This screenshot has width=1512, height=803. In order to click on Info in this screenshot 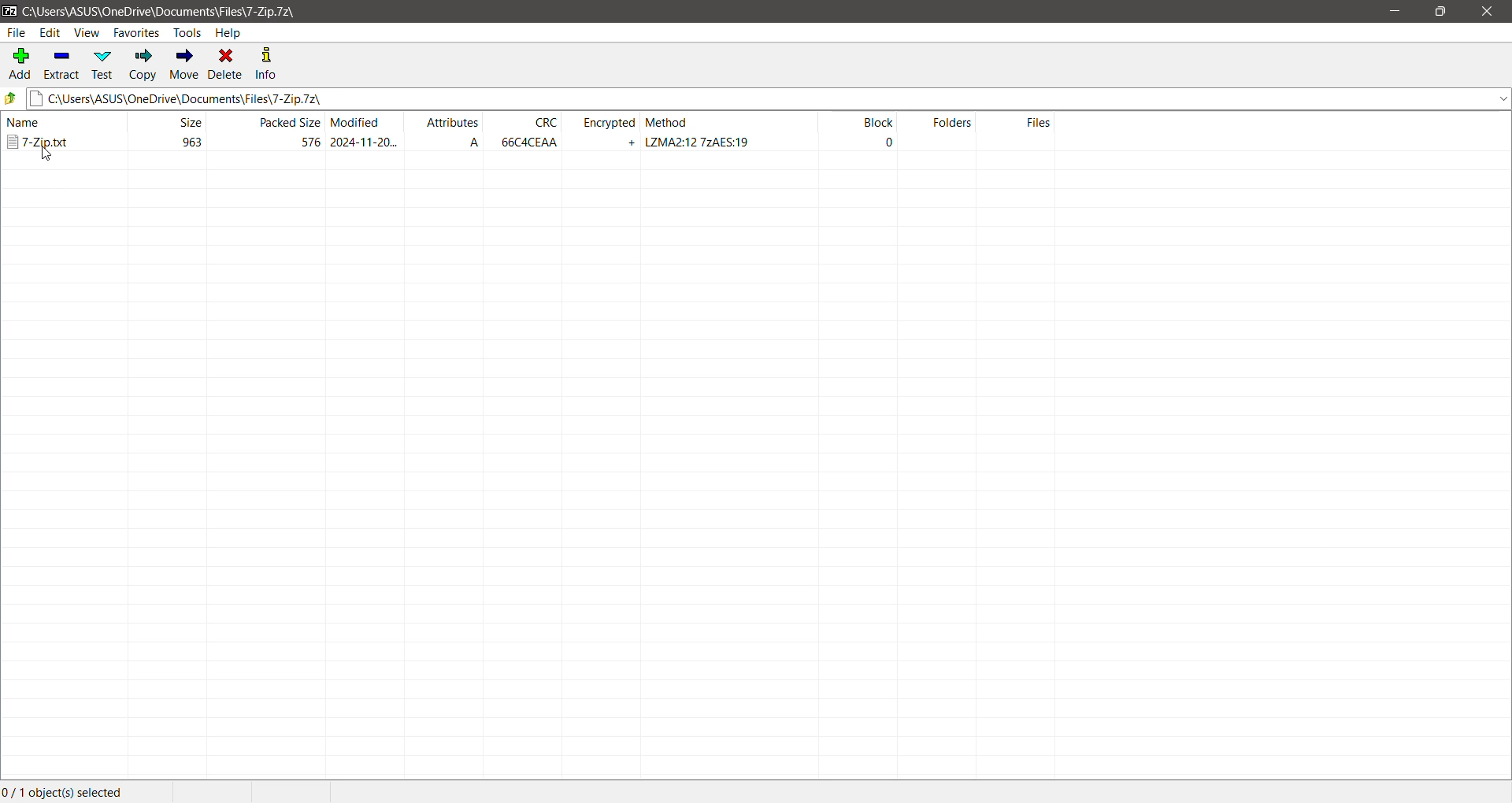, I will do `click(266, 61)`.